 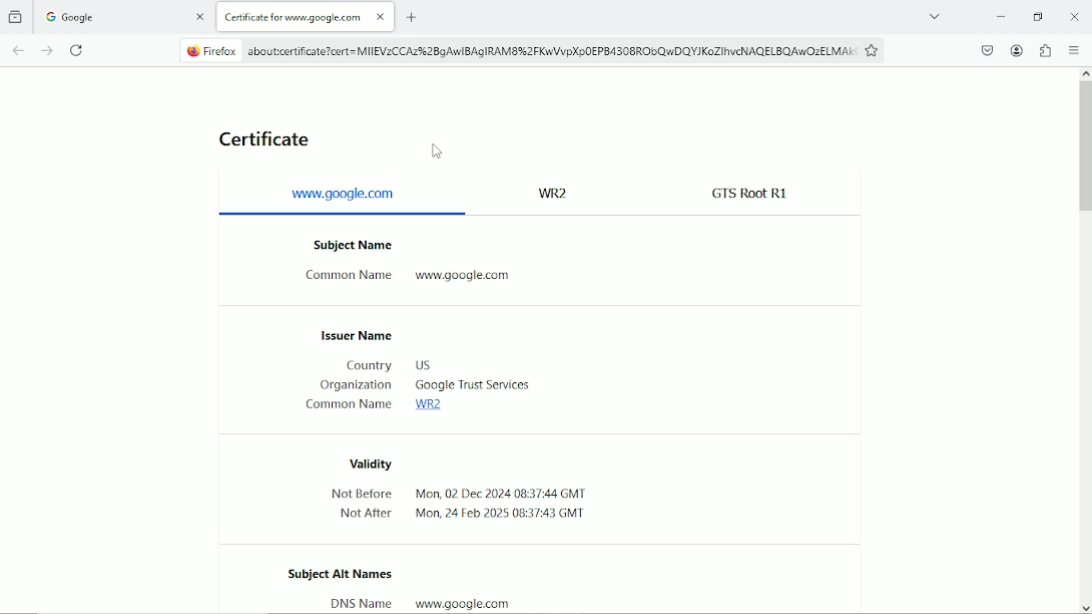 I want to click on Common Name, so click(x=348, y=407).